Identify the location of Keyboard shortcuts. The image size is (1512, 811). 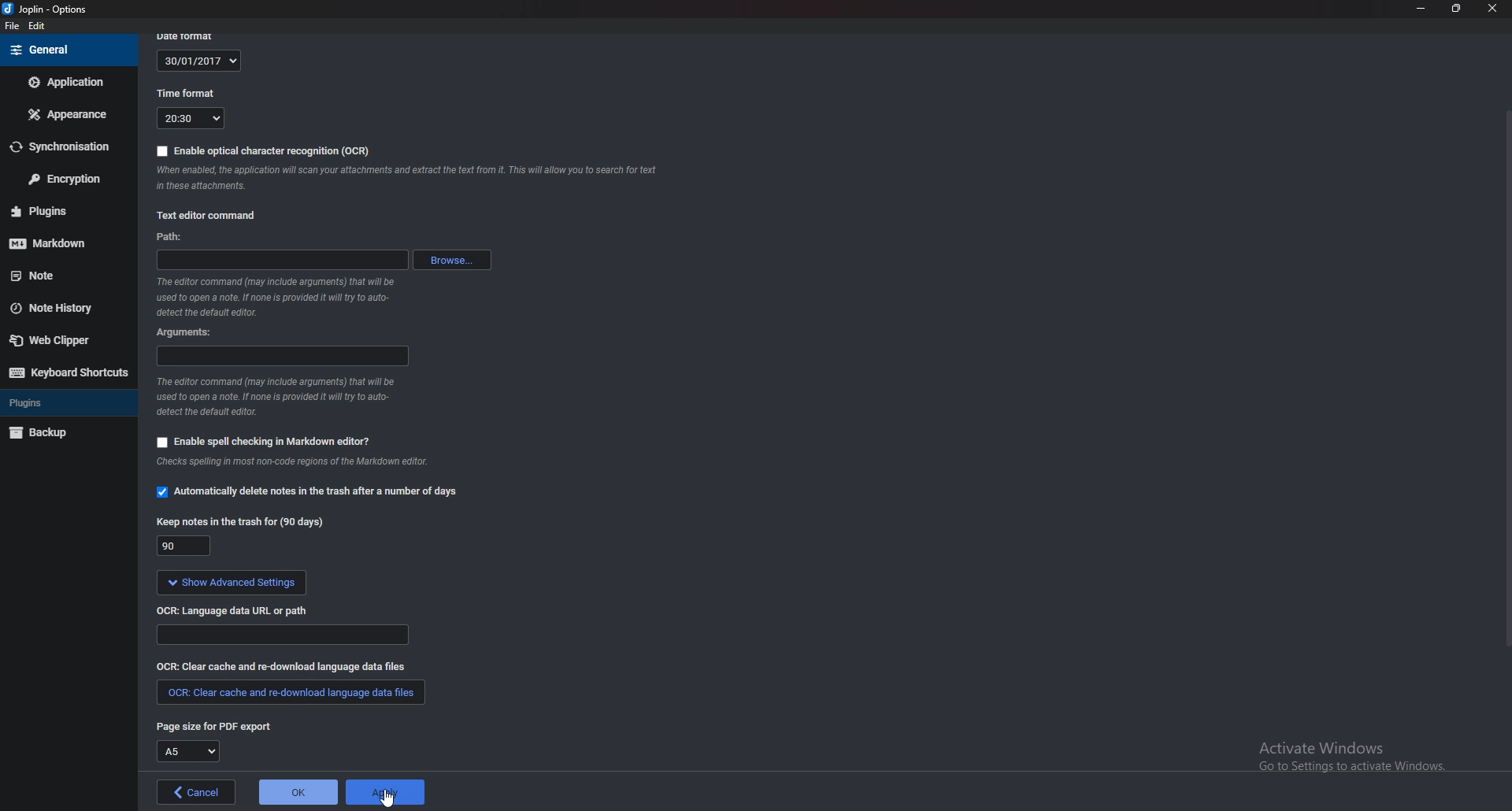
(66, 373).